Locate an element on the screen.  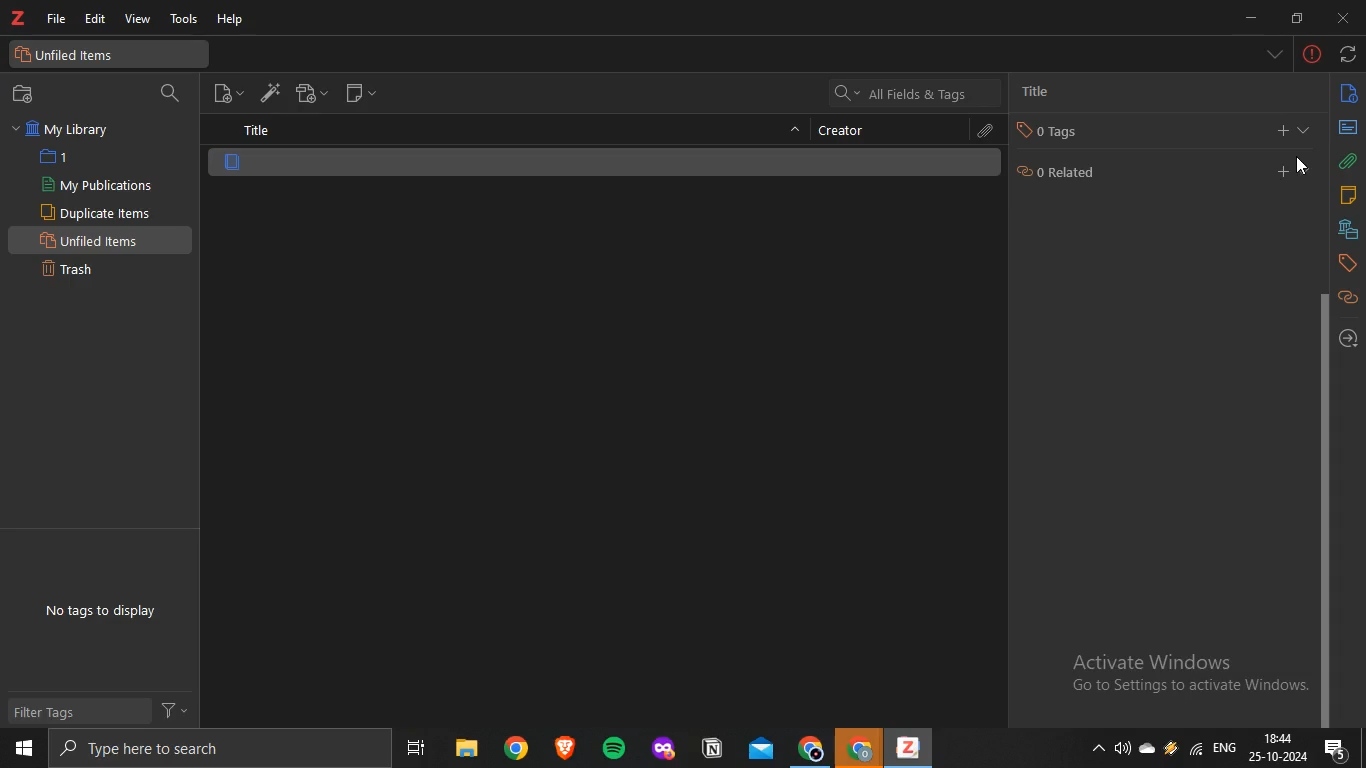
app is located at coordinates (667, 749).